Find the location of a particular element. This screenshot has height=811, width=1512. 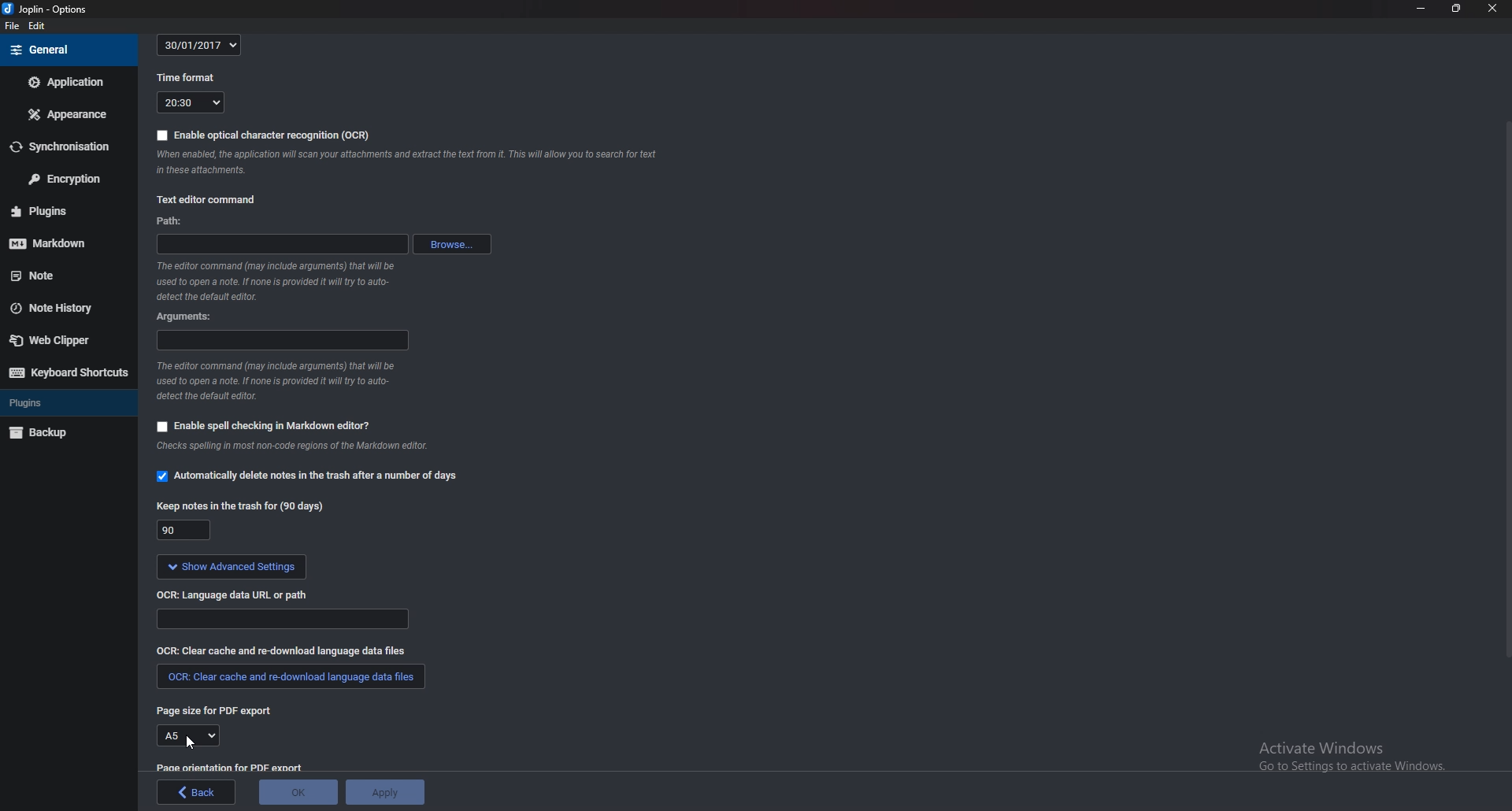

o C R language data url or path is located at coordinates (236, 596).